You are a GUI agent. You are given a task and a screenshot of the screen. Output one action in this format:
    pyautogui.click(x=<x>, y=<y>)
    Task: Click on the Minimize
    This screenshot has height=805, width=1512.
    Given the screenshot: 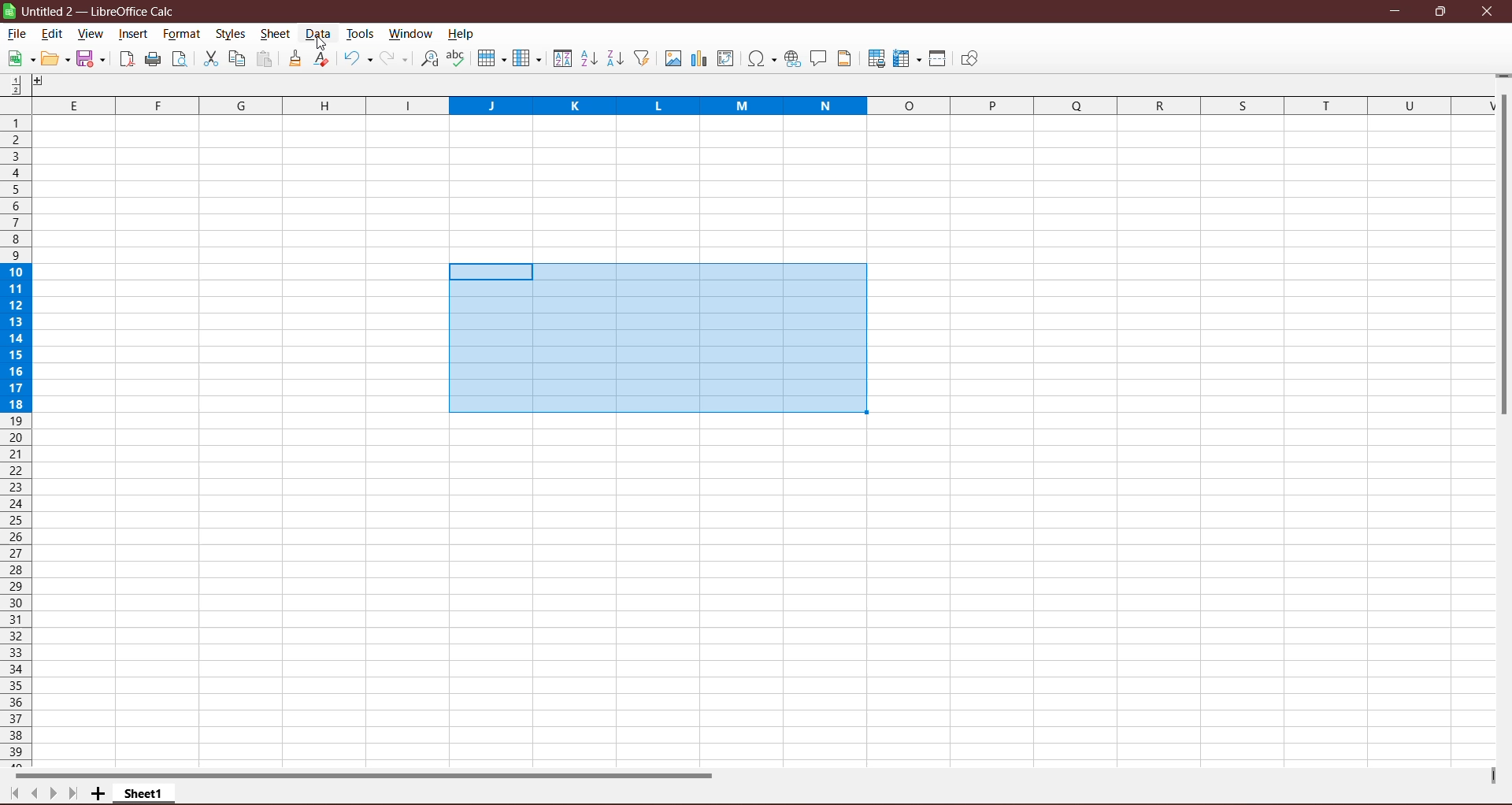 What is the action you would take?
    pyautogui.click(x=1397, y=11)
    